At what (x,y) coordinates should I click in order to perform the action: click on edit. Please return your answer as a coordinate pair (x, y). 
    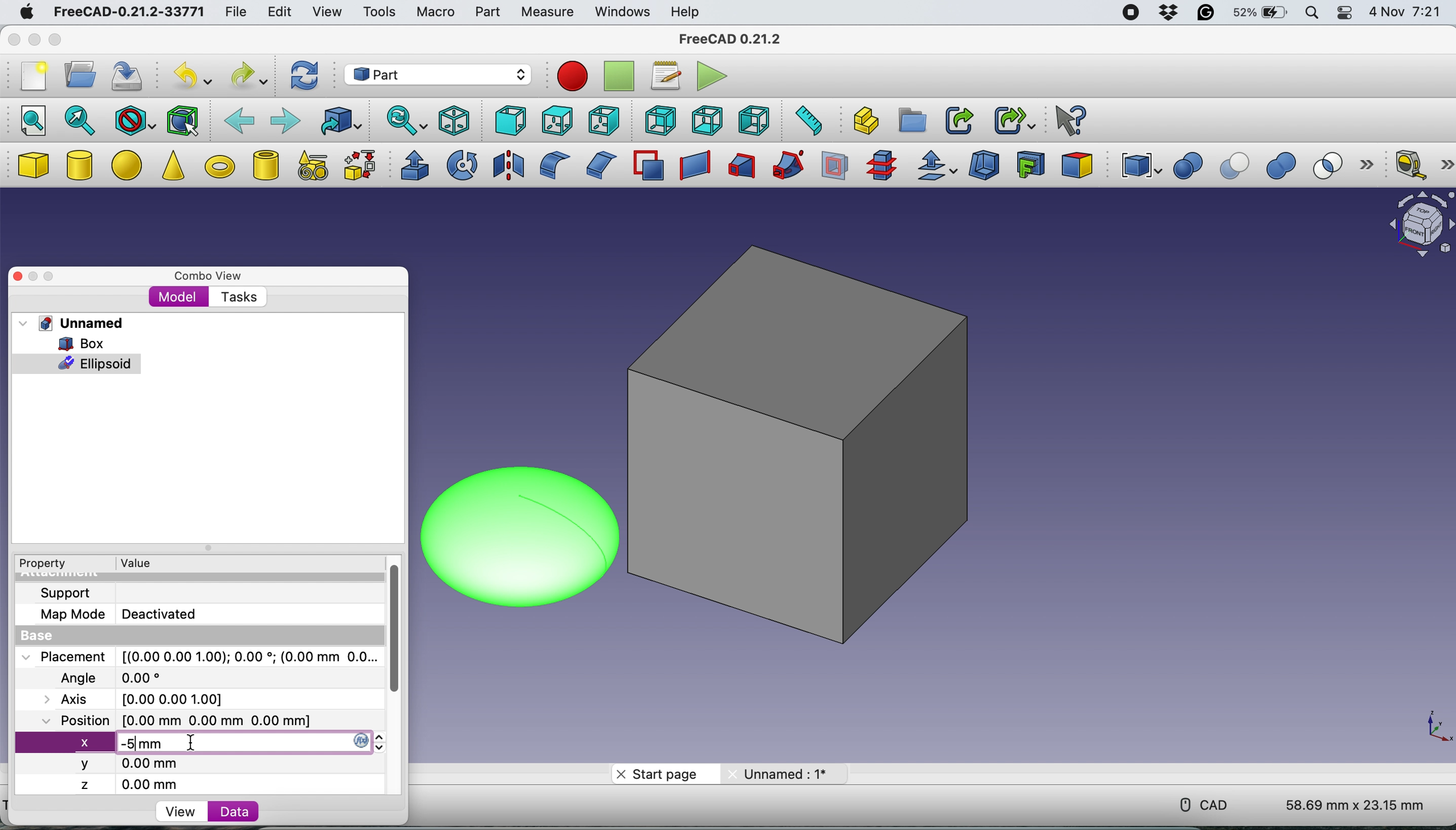
    Looking at the image, I should click on (276, 13).